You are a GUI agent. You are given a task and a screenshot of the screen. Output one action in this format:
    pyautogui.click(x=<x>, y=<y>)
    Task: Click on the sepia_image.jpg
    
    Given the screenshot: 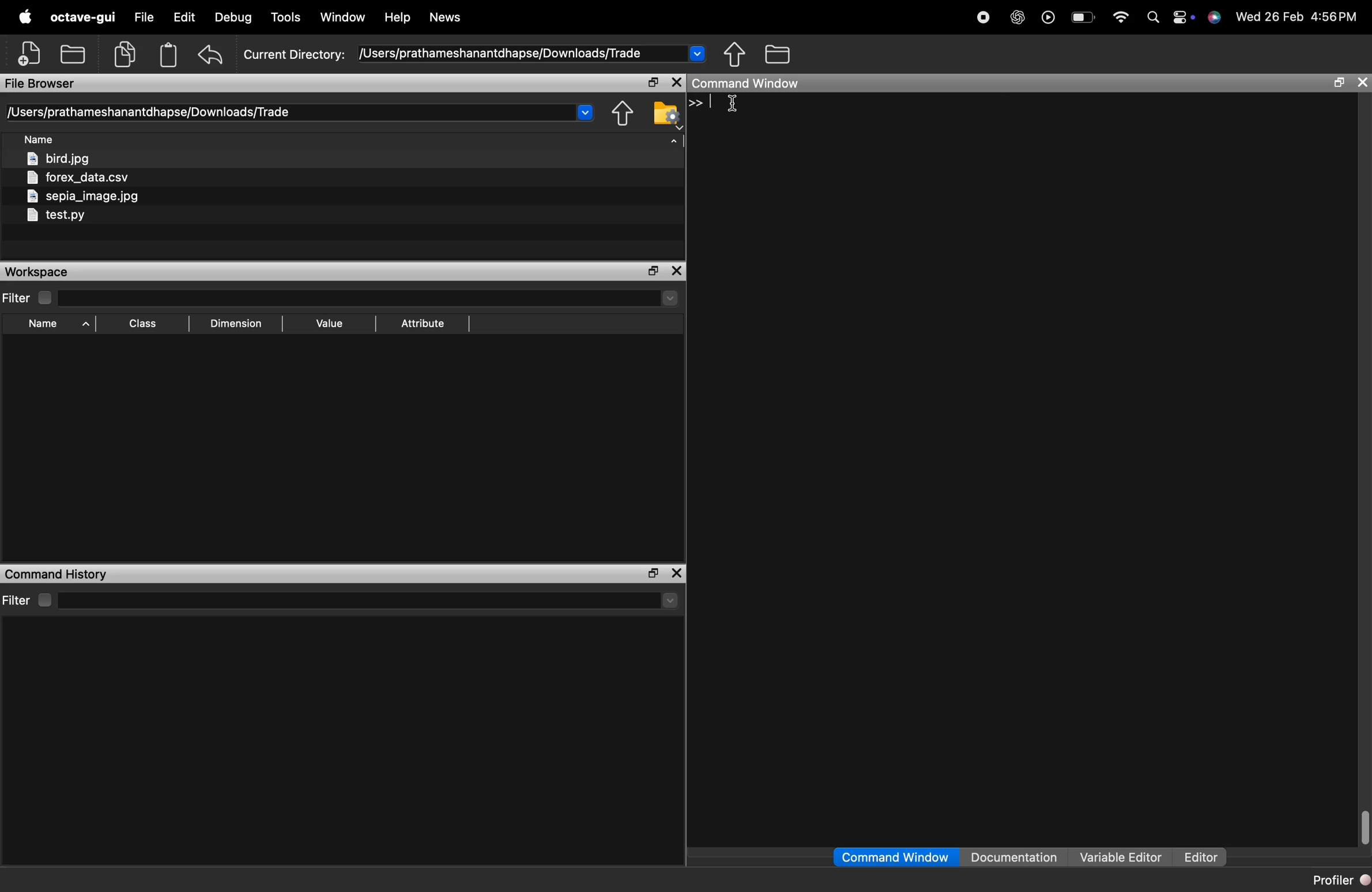 What is the action you would take?
    pyautogui.click(x=81, y=195)
    